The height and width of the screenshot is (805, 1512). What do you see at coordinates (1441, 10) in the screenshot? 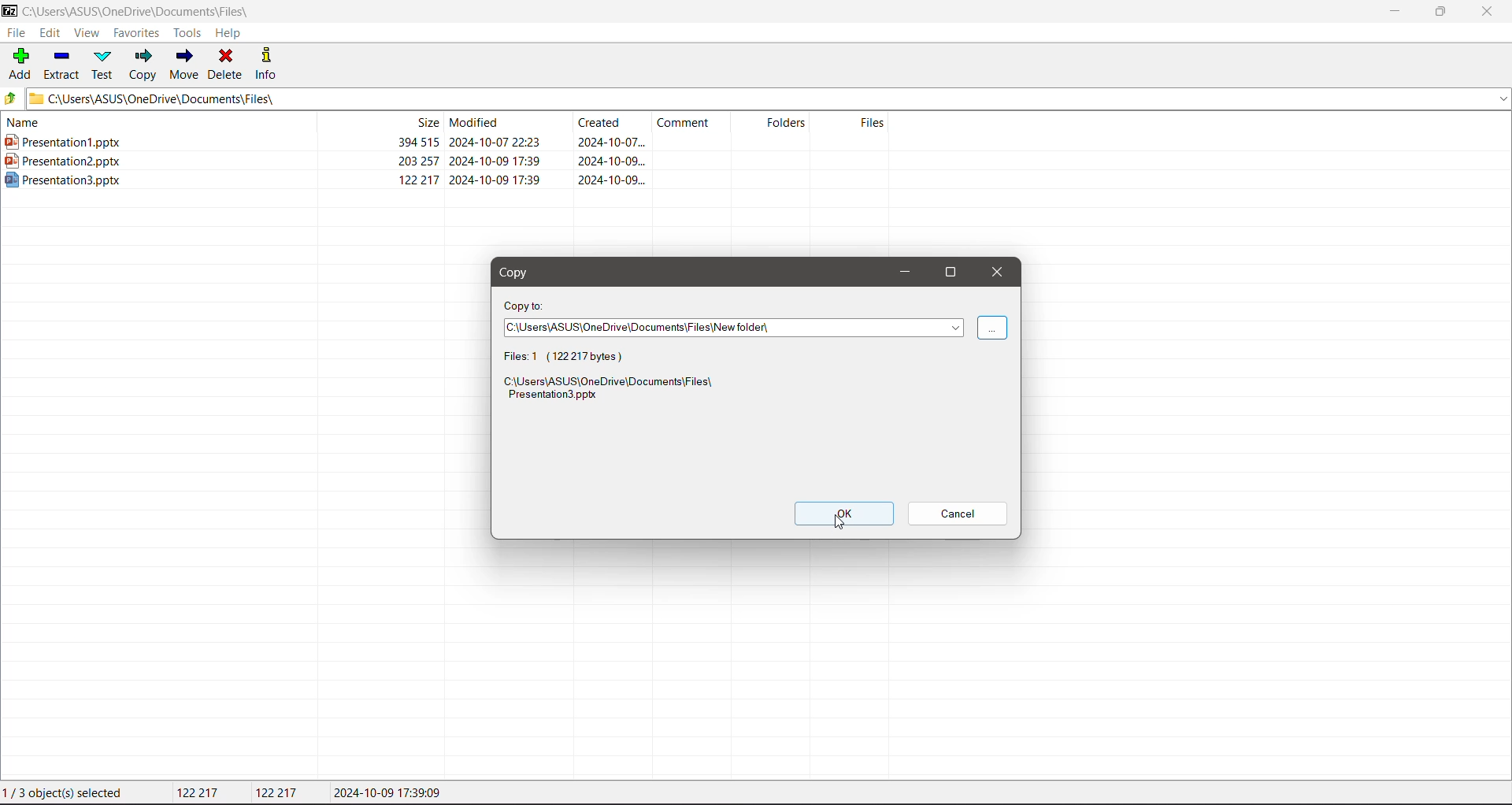
I see `Restore Down` at bounding box center [1441, 10].